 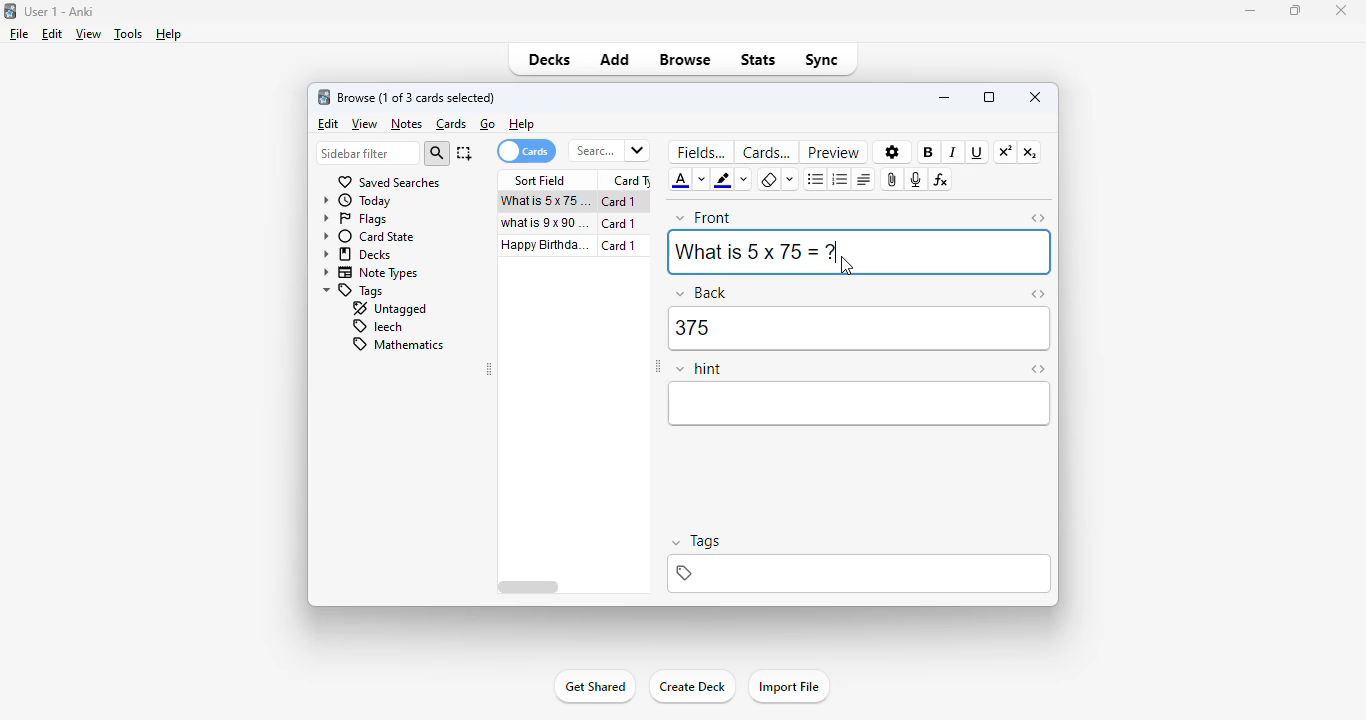 What do you see at coordinates (1296, 10) in the screenshot?
I see `maximize` at bounding box center [1296, 10].